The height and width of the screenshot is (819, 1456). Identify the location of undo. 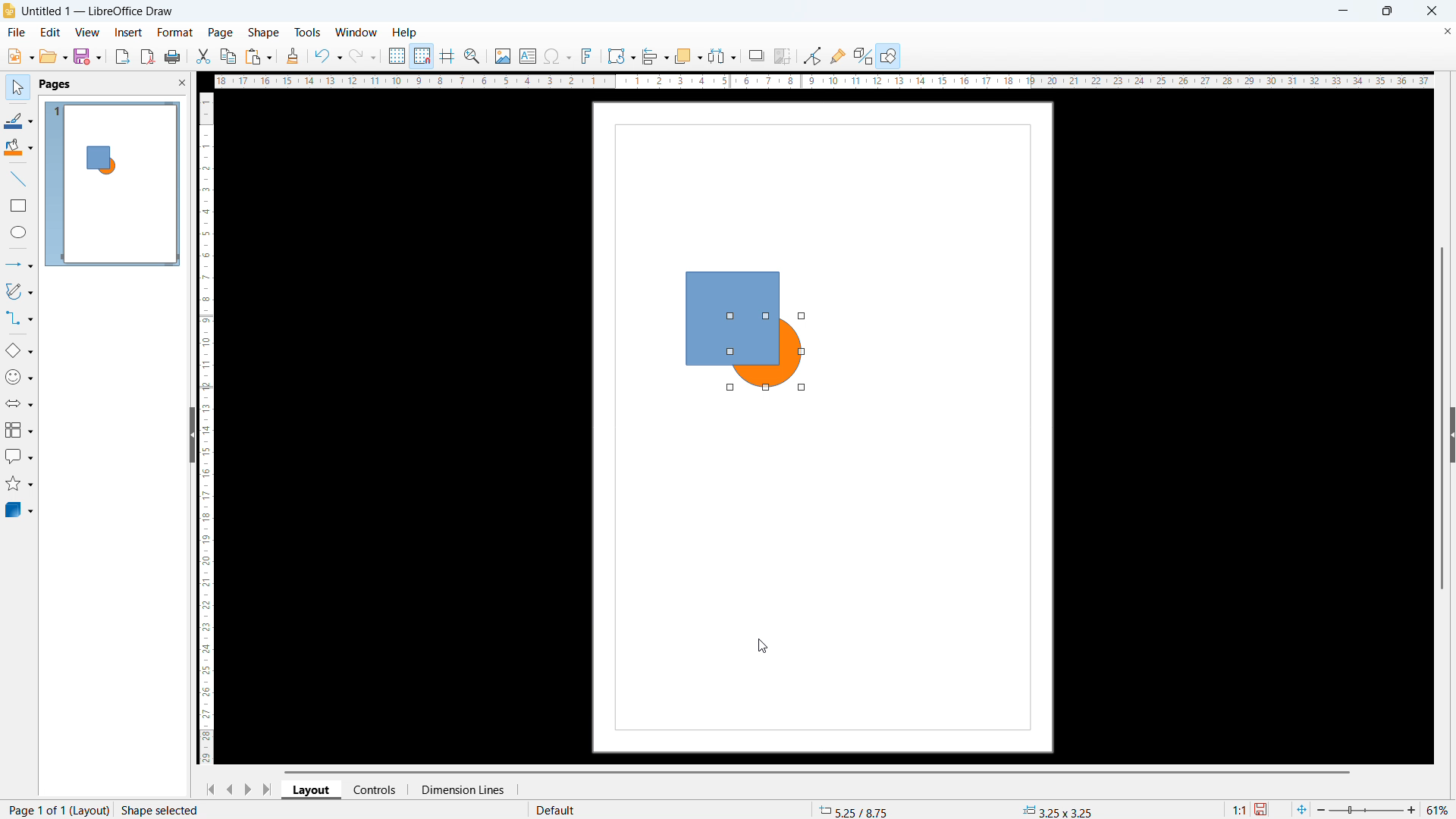
(328, 55).